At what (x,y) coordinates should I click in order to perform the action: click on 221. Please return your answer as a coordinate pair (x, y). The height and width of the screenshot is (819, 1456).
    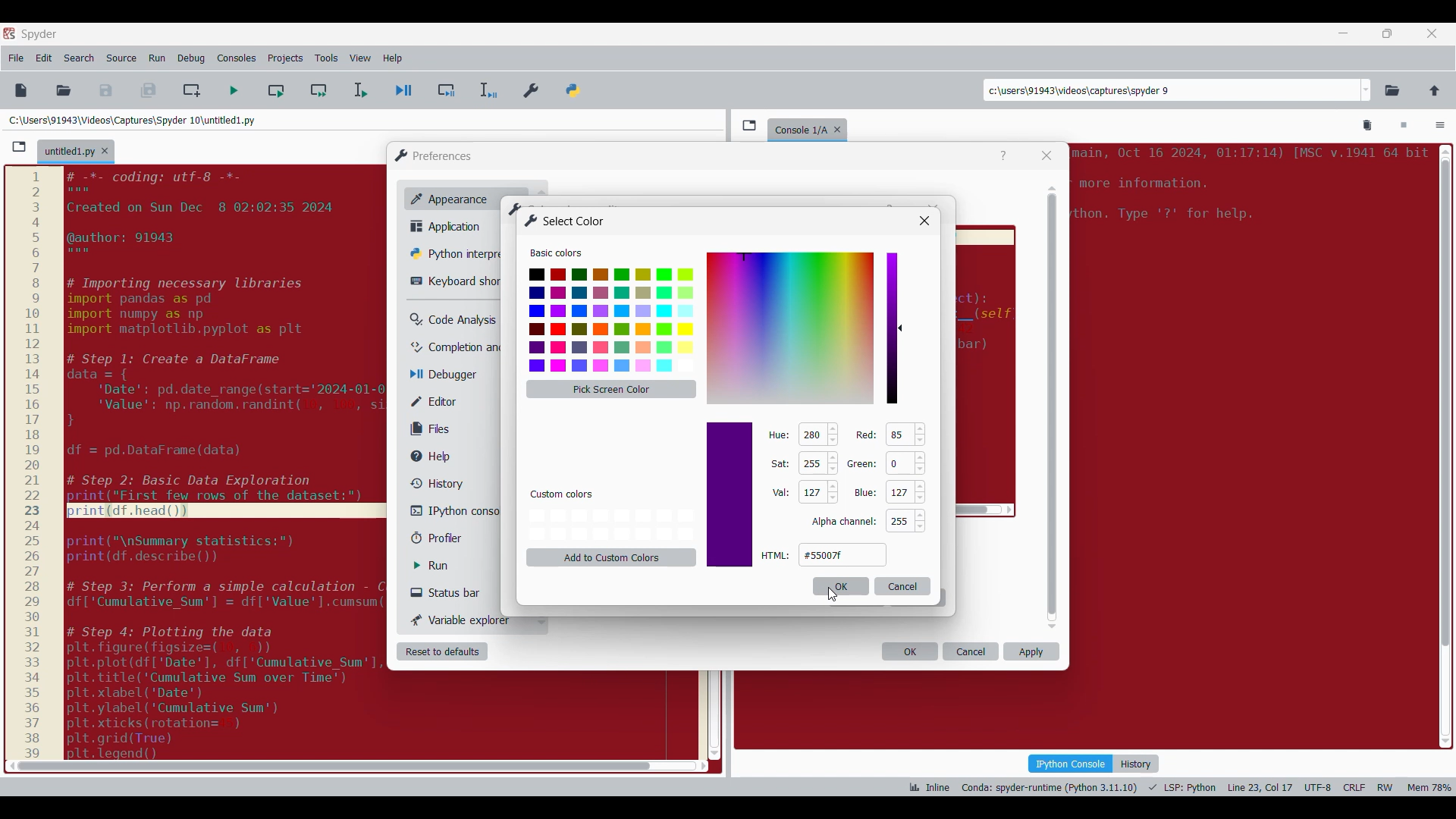
    Looking at the image, I should click on (811, 463).